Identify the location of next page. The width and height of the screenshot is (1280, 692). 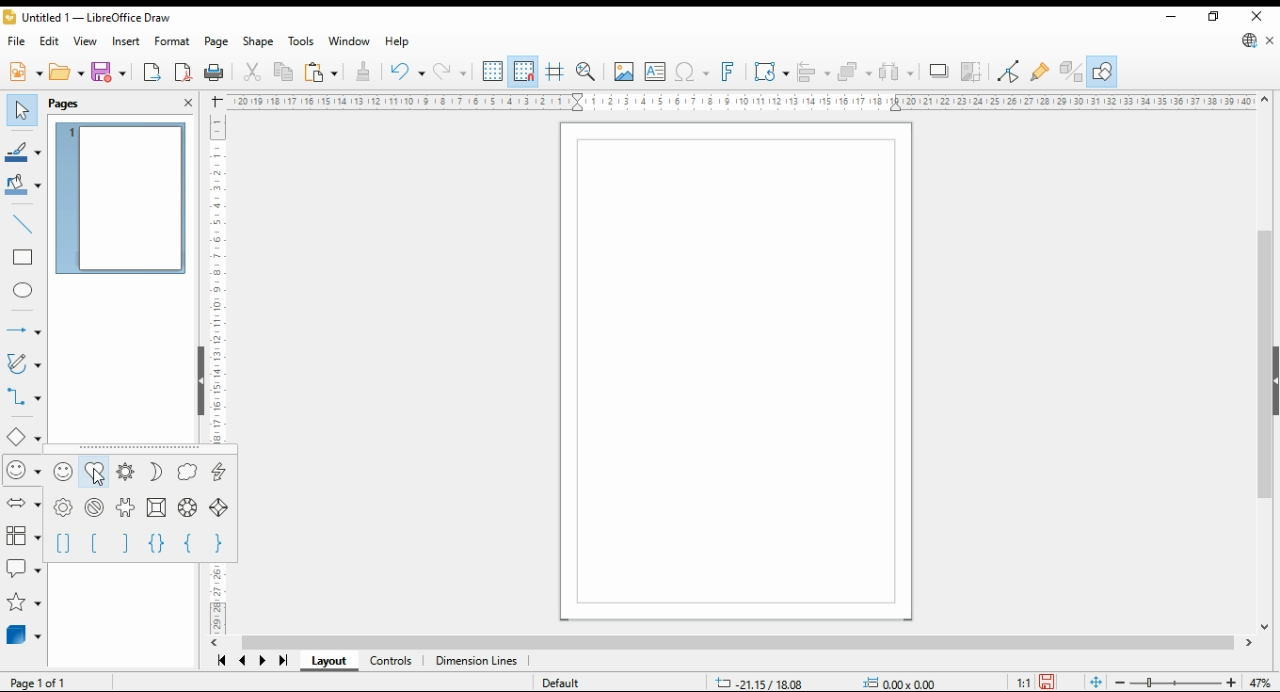
(264, 663).